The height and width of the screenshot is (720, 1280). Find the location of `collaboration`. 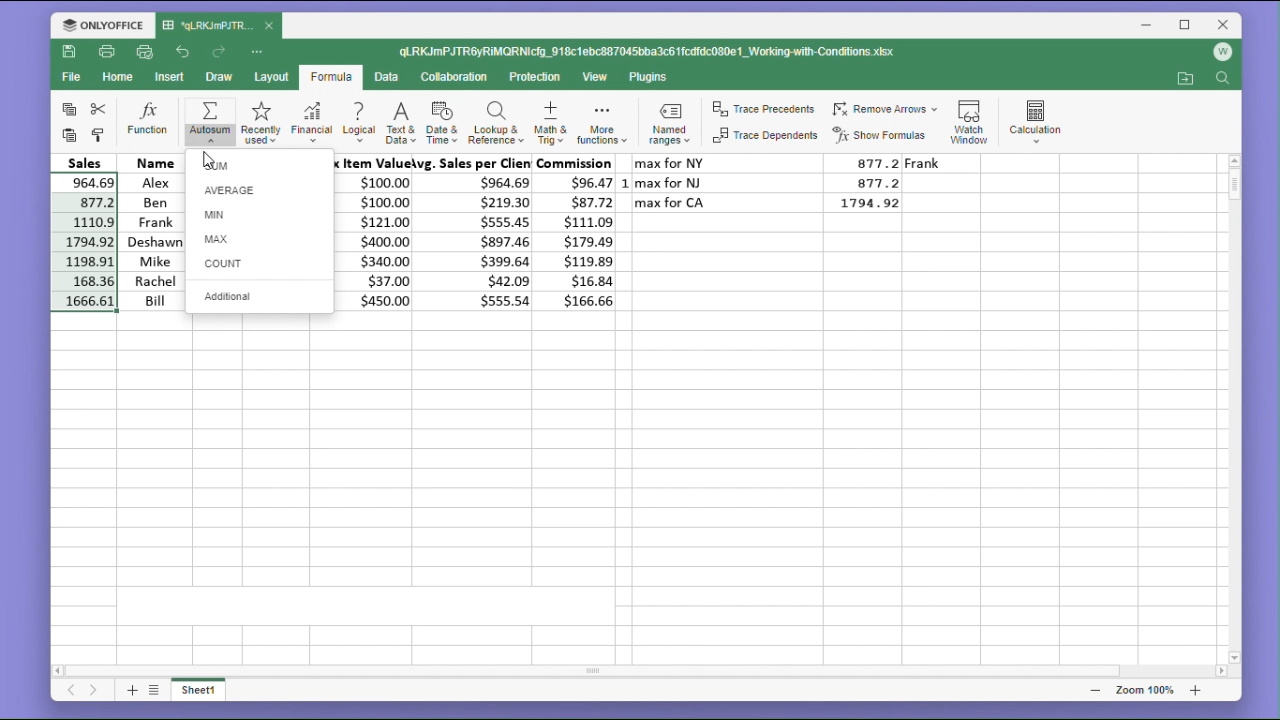

collaboration is located at coordinates (458, 78).